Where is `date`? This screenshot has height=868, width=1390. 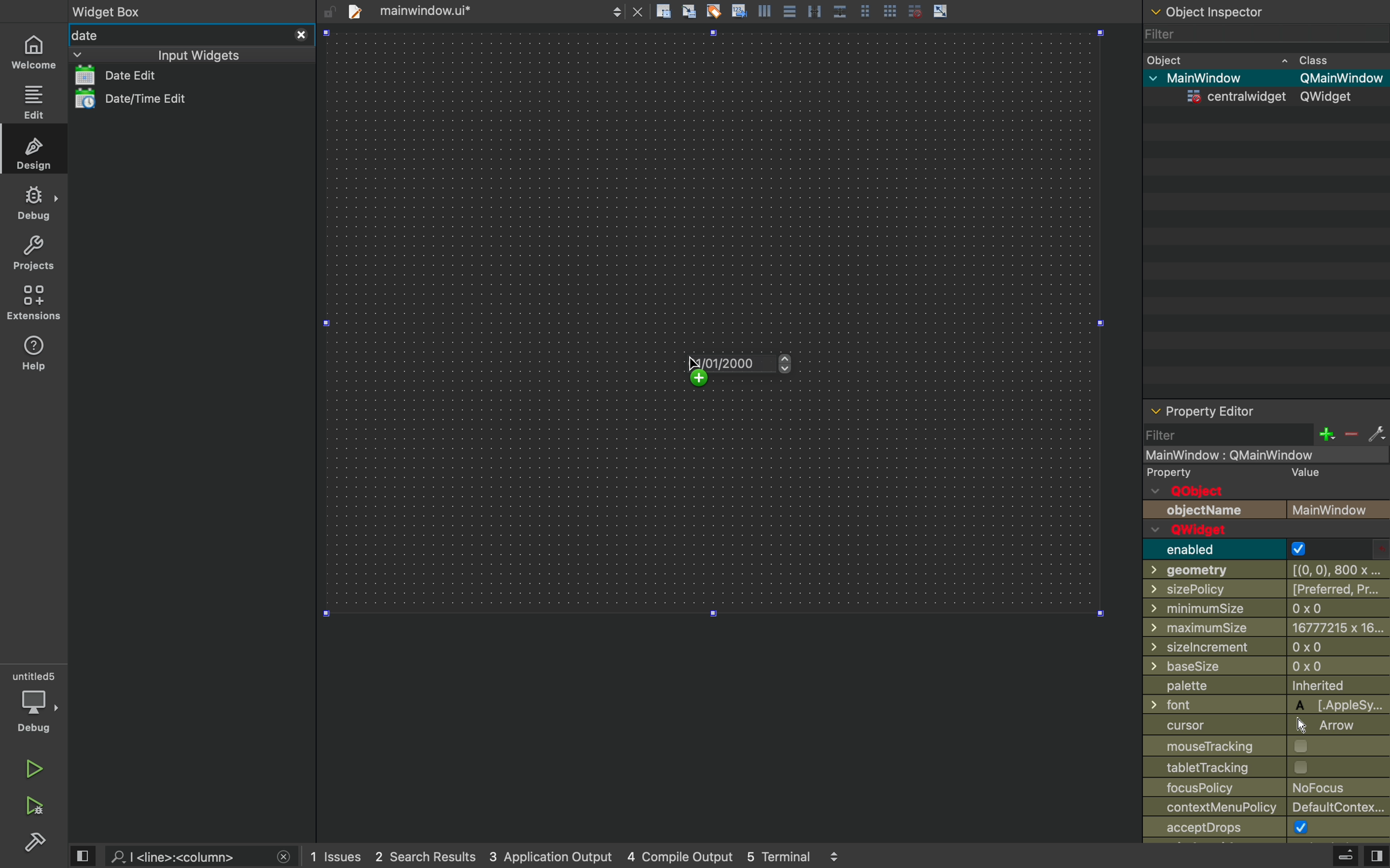
date is located at coordinates (179, 36).